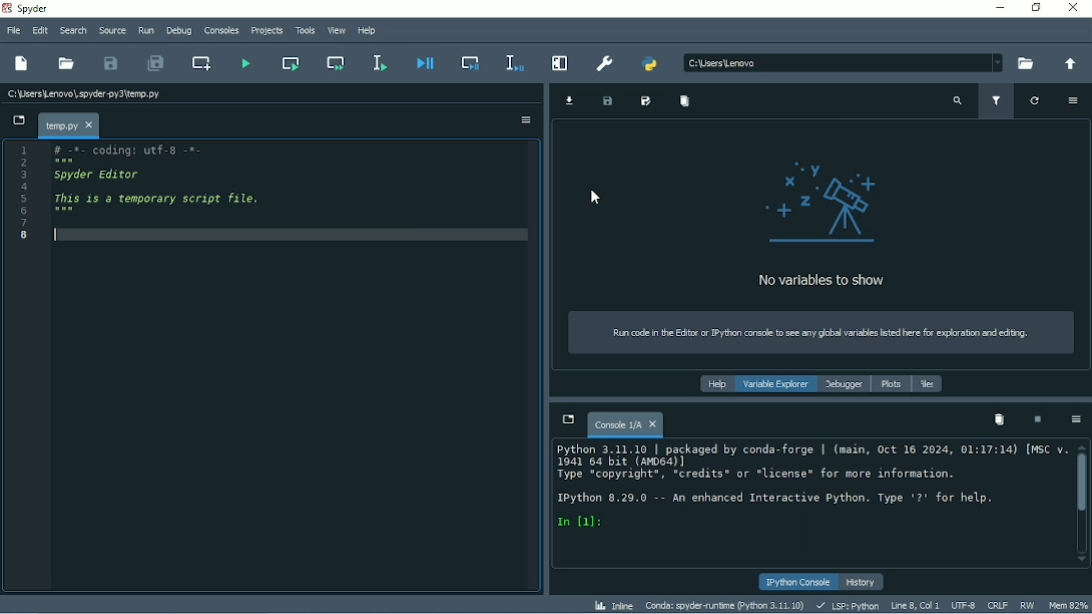  Describe the element at coordinates (841, 62) in the screenshot. I see `Location` at that location.